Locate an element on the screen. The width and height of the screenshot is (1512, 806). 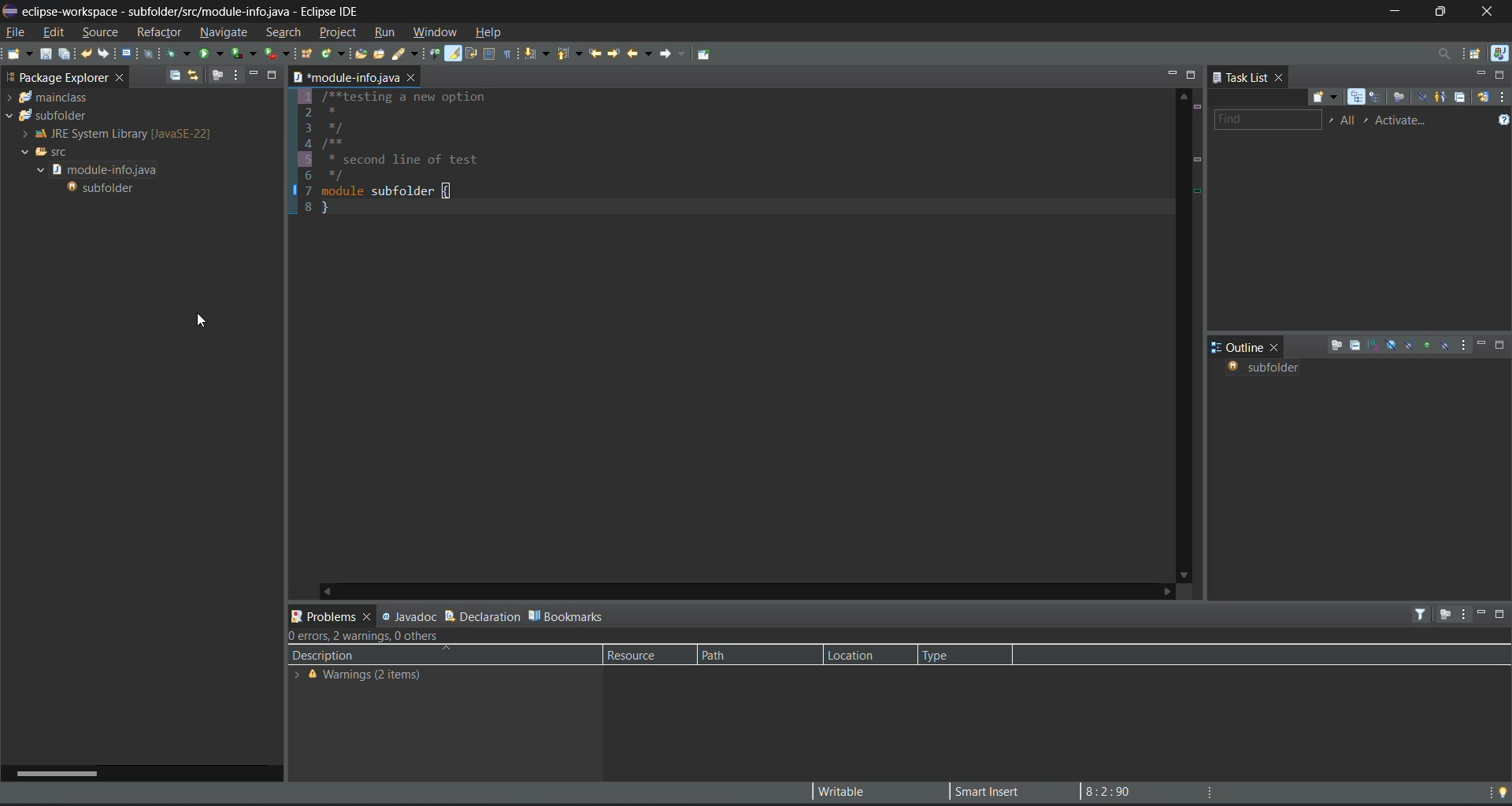
location is located at coordinates (858, 655).